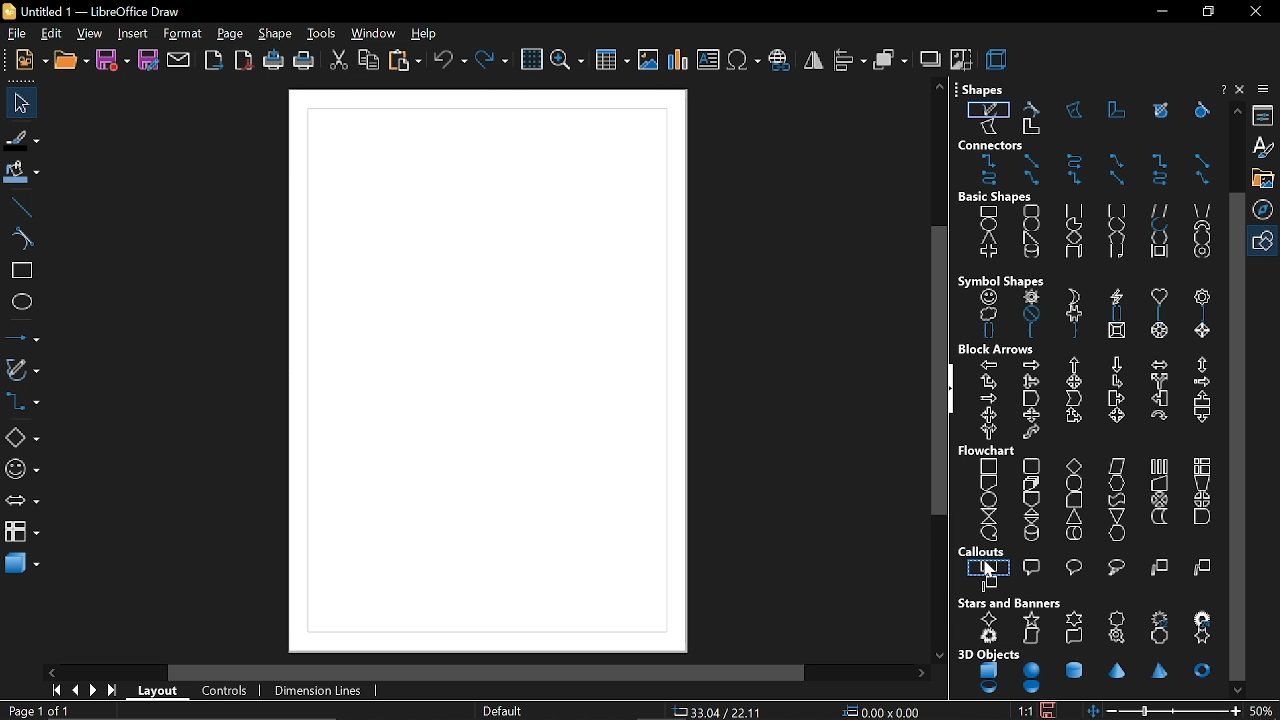 This screenshot has width=1280, height=720. I want to click on scaling factor, so click(1023, 711).